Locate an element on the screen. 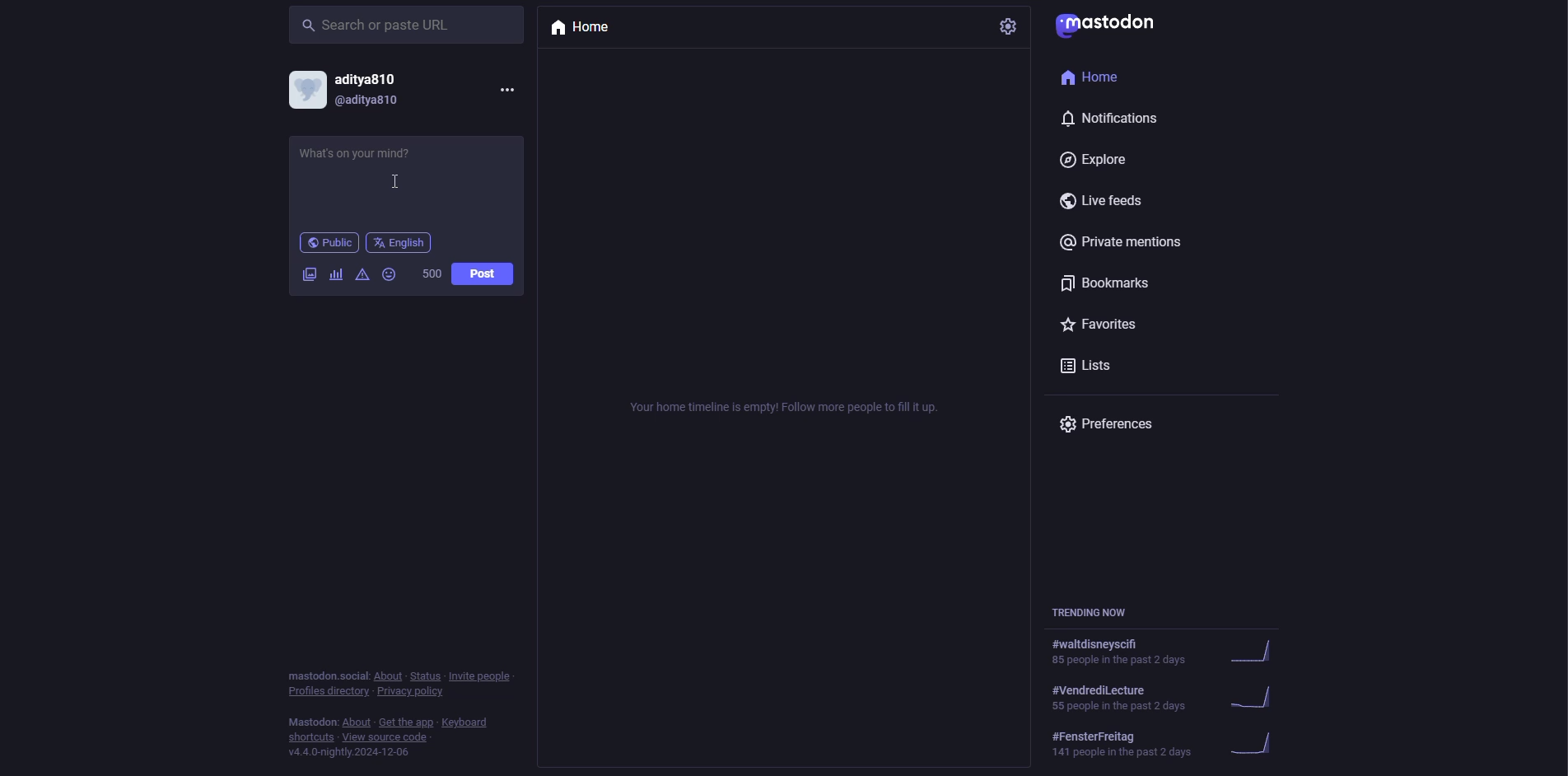  settings is located at coordinates (1010, 26).